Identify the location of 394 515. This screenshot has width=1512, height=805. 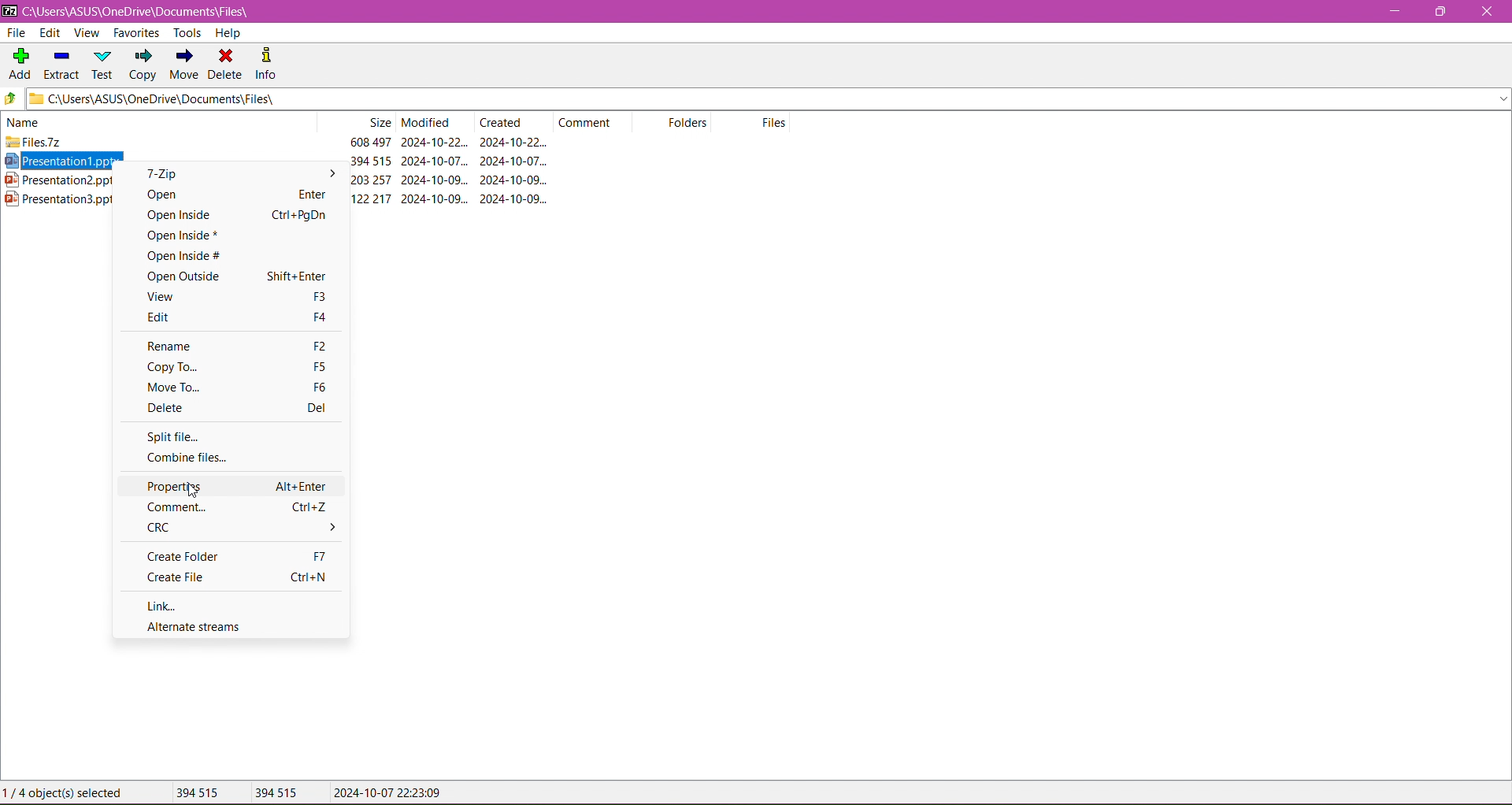
(198, 792).